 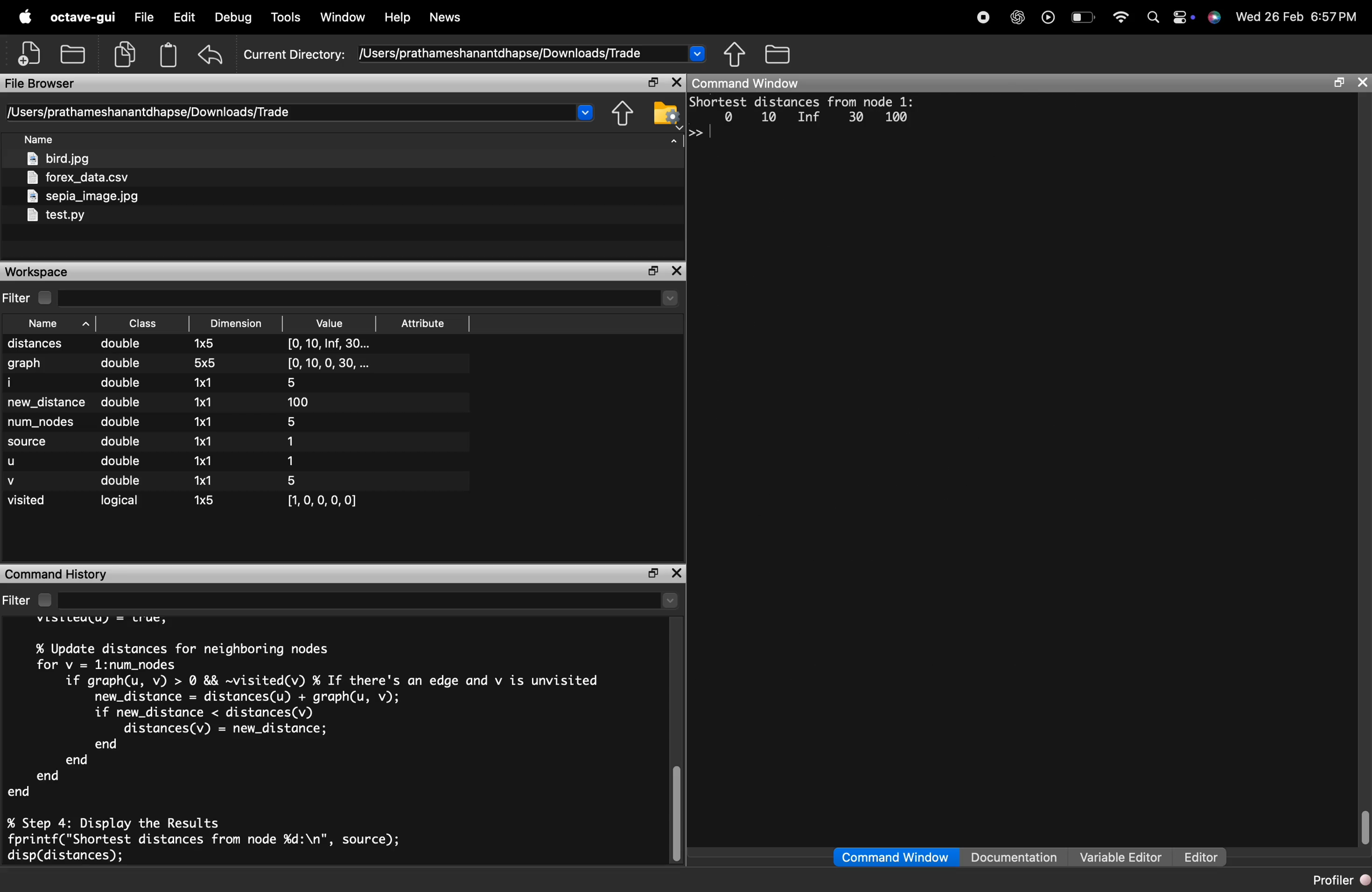 I want to click on close, so click(x=1363, y=83).